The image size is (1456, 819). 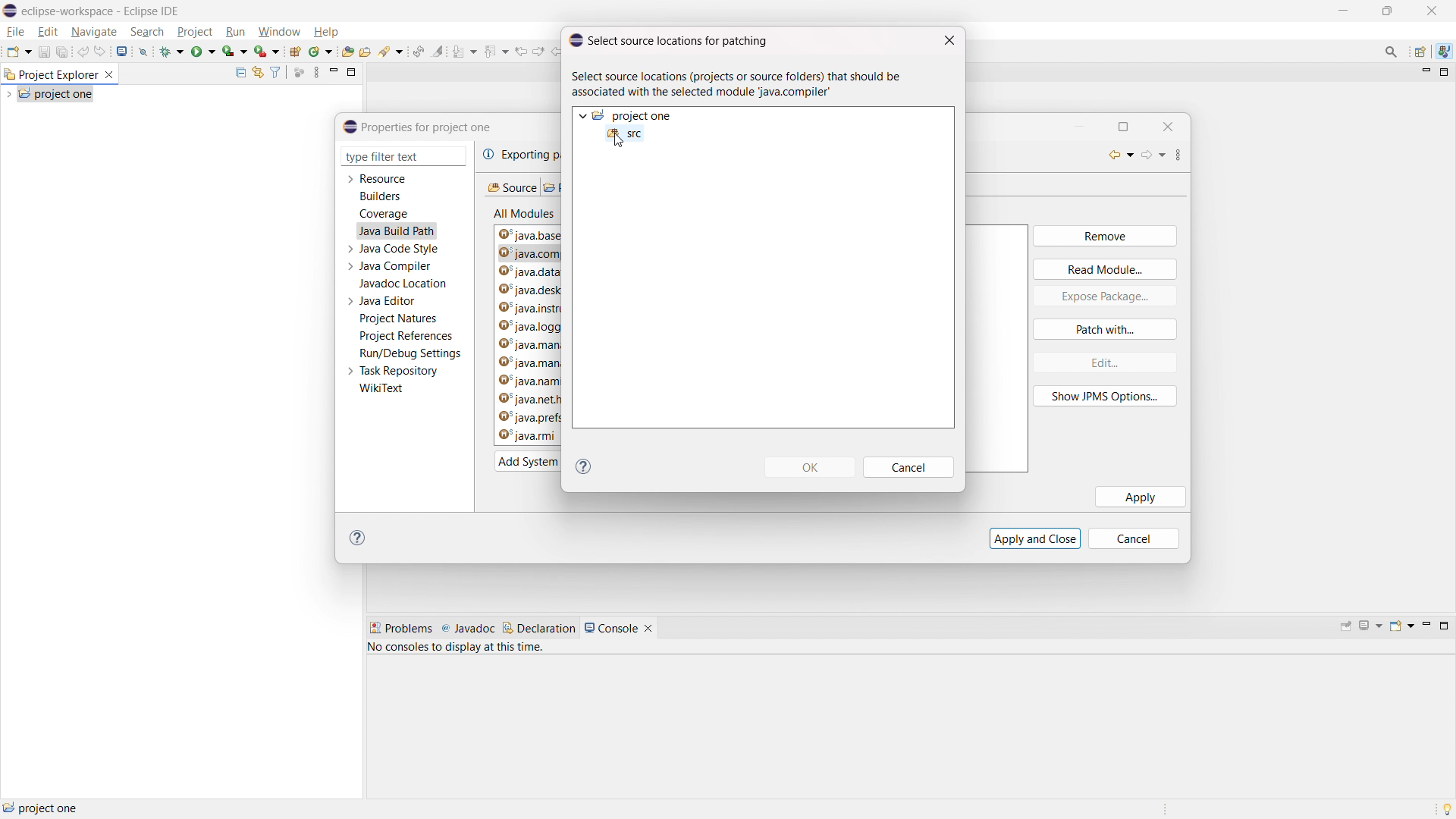 I want to click on view previous location, so click(x=521, y=50).